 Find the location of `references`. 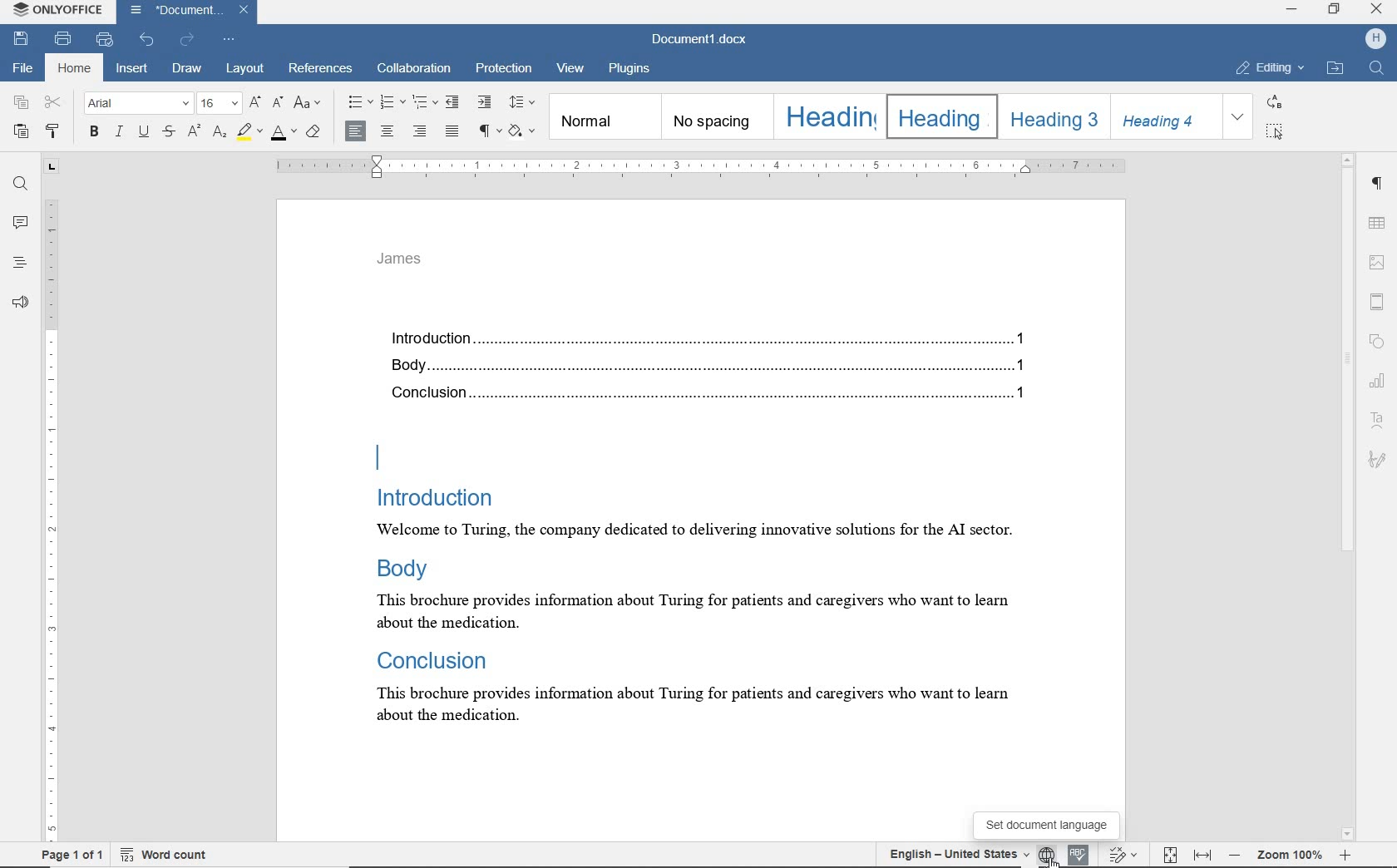

references is located at coordinates (322, 71).